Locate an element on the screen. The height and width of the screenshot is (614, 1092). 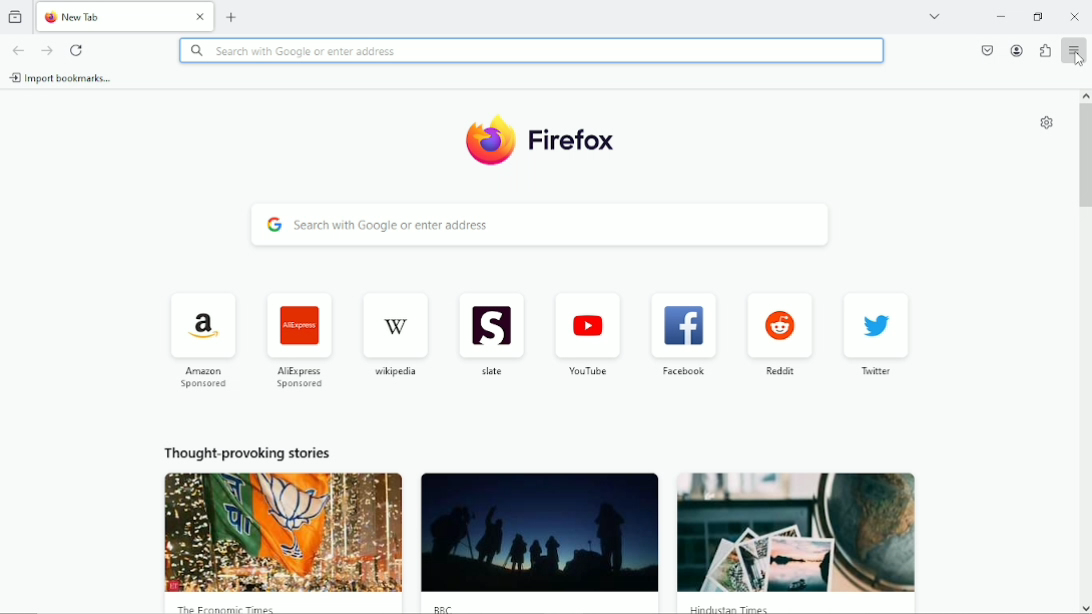
Search with google or enter address is located at coordinates (532, 51).